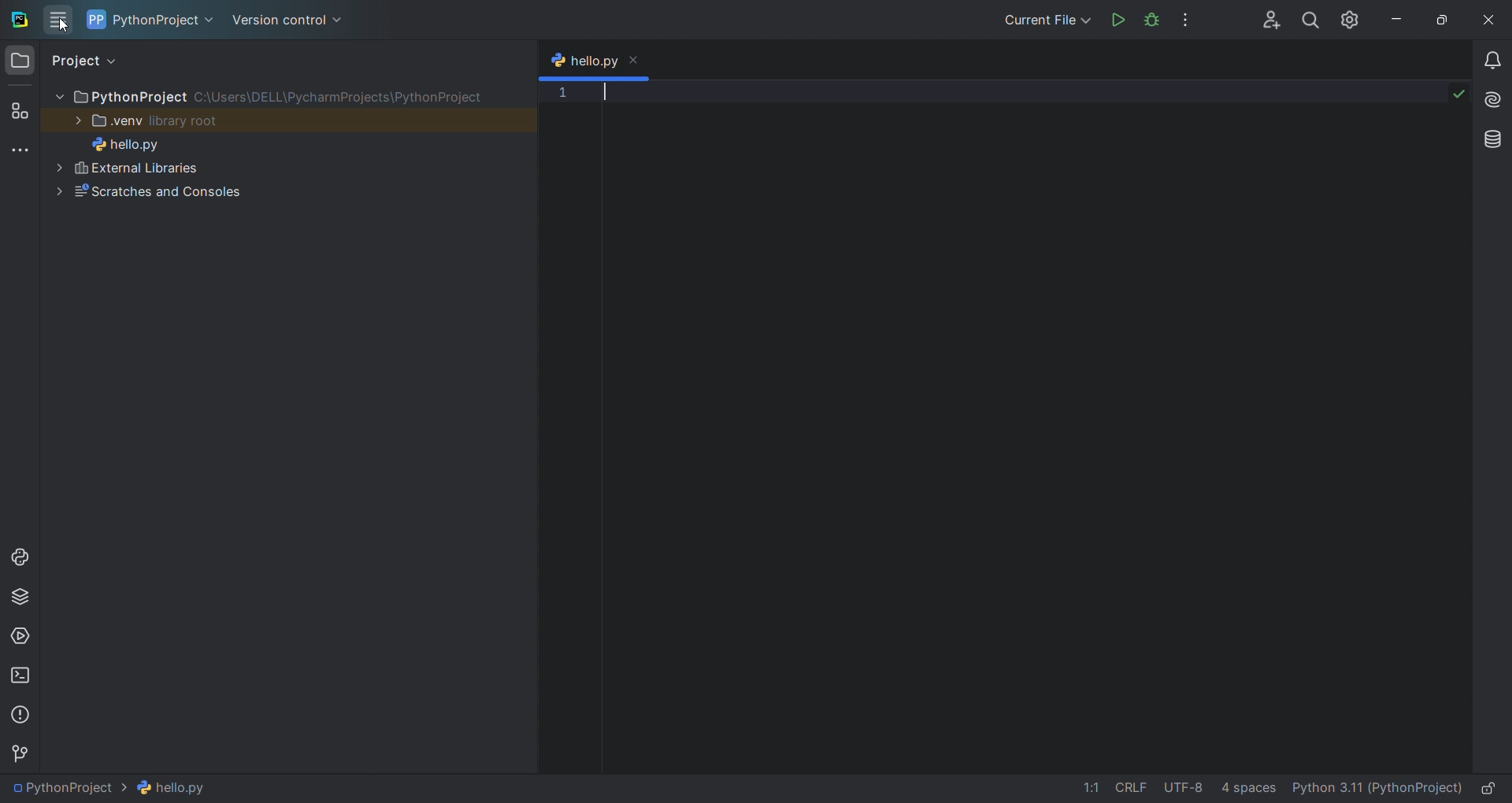 This screenshot has height=803, width=1512. I want to click on terminal, so click(20, 675).